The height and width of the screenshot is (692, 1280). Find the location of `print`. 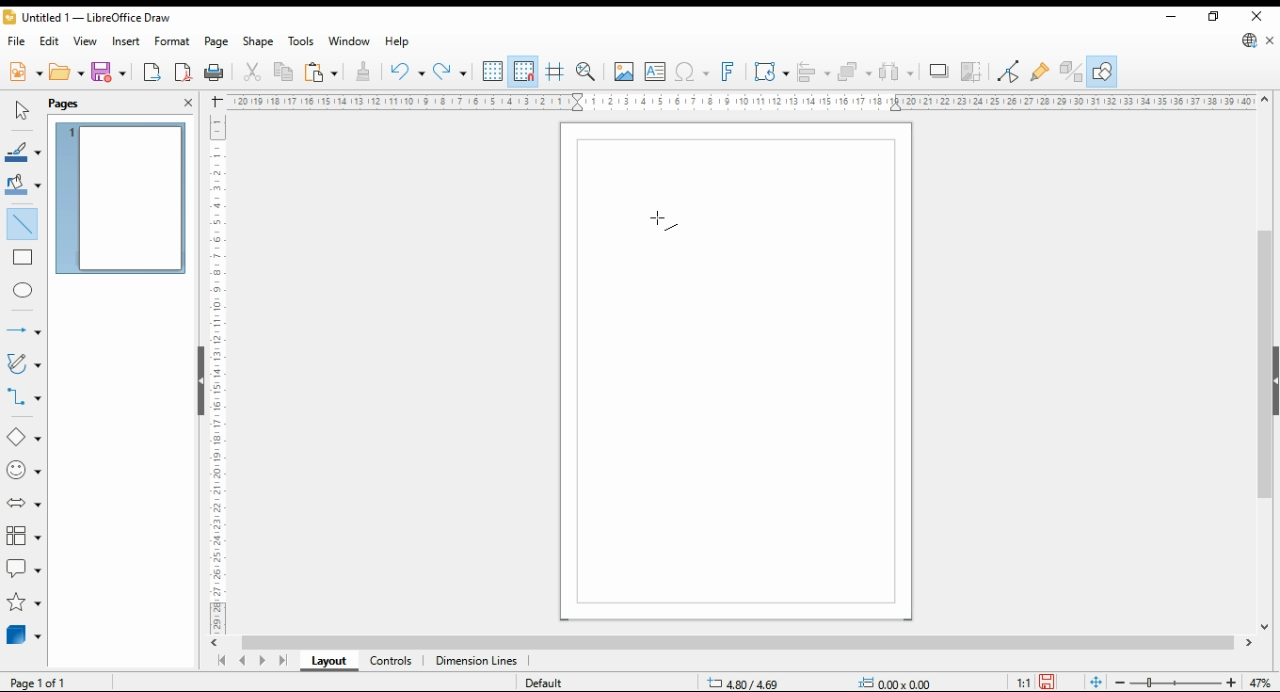

print is located at coordinates (214, 73).